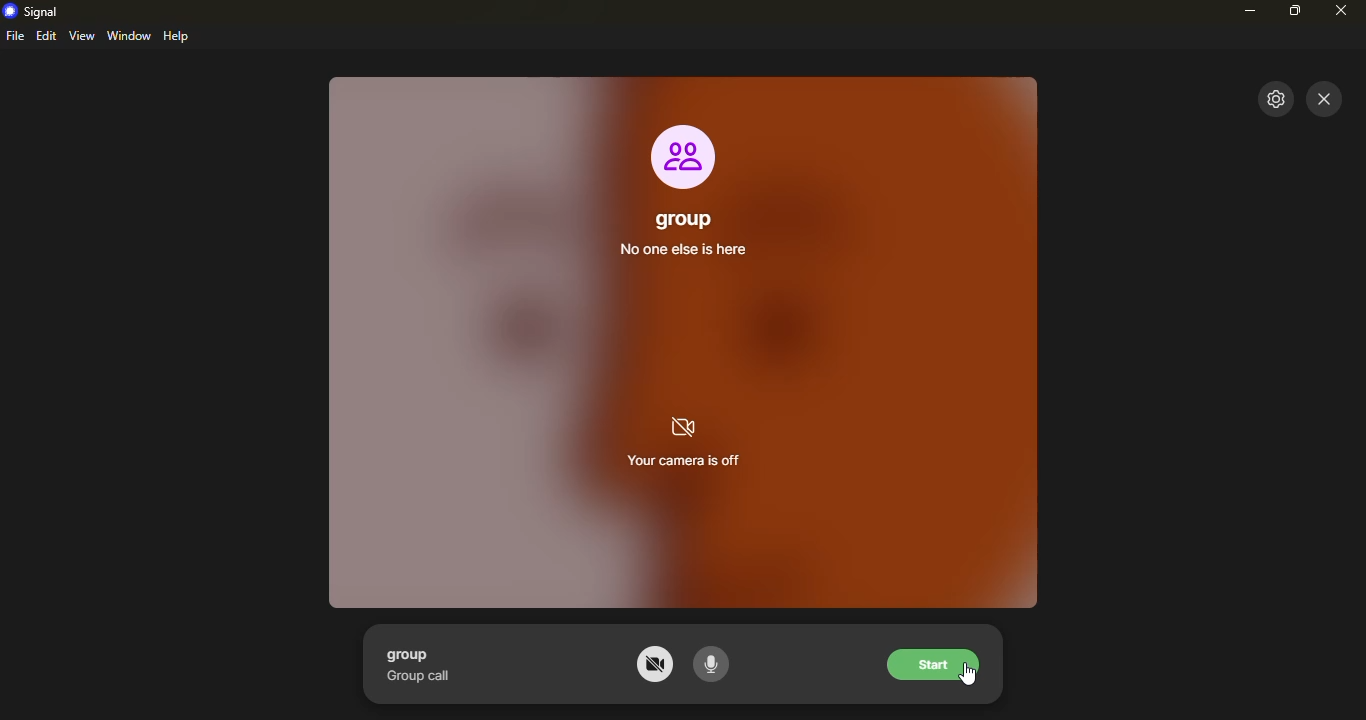 The height and width of the screenshot is (720, 1366). Describe the element at coordinates (1342, 11) in the screenshot. I see `close` at that location.